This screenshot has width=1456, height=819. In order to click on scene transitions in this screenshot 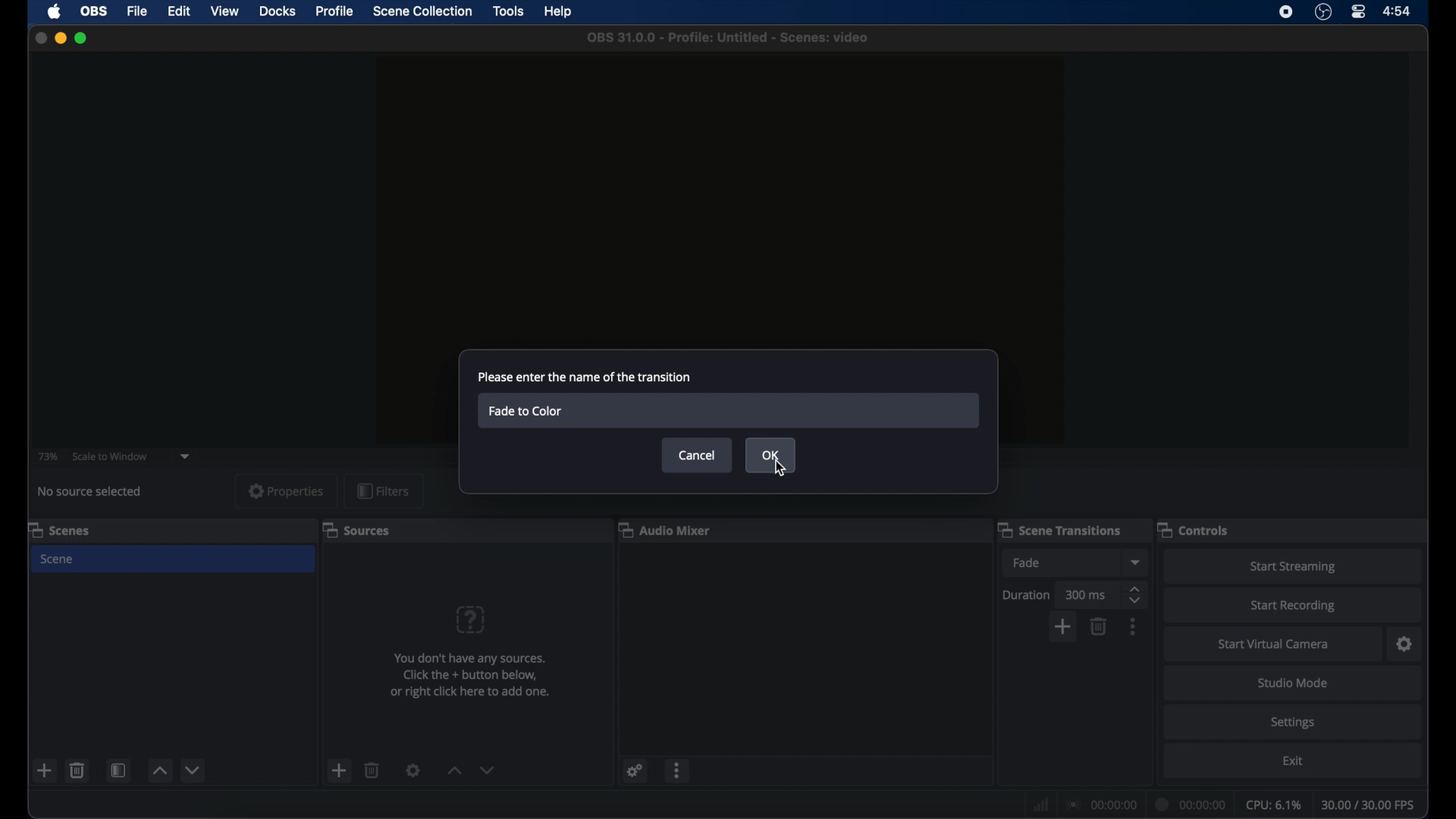, I will do `click(1059, 529)`.